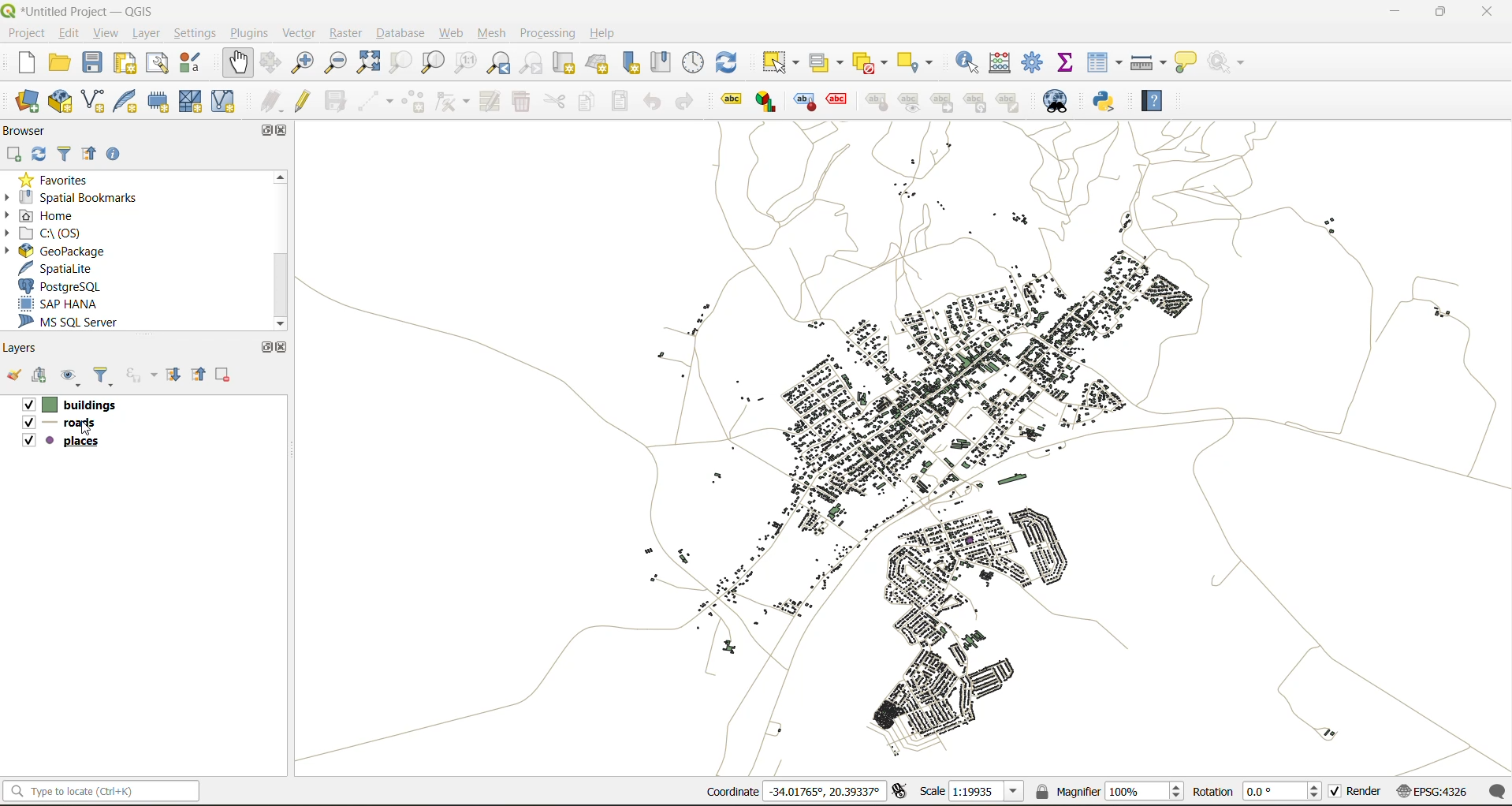 The height and width of the screenshot is (806, 1512). I want to click on mesh, so click(490, 33).